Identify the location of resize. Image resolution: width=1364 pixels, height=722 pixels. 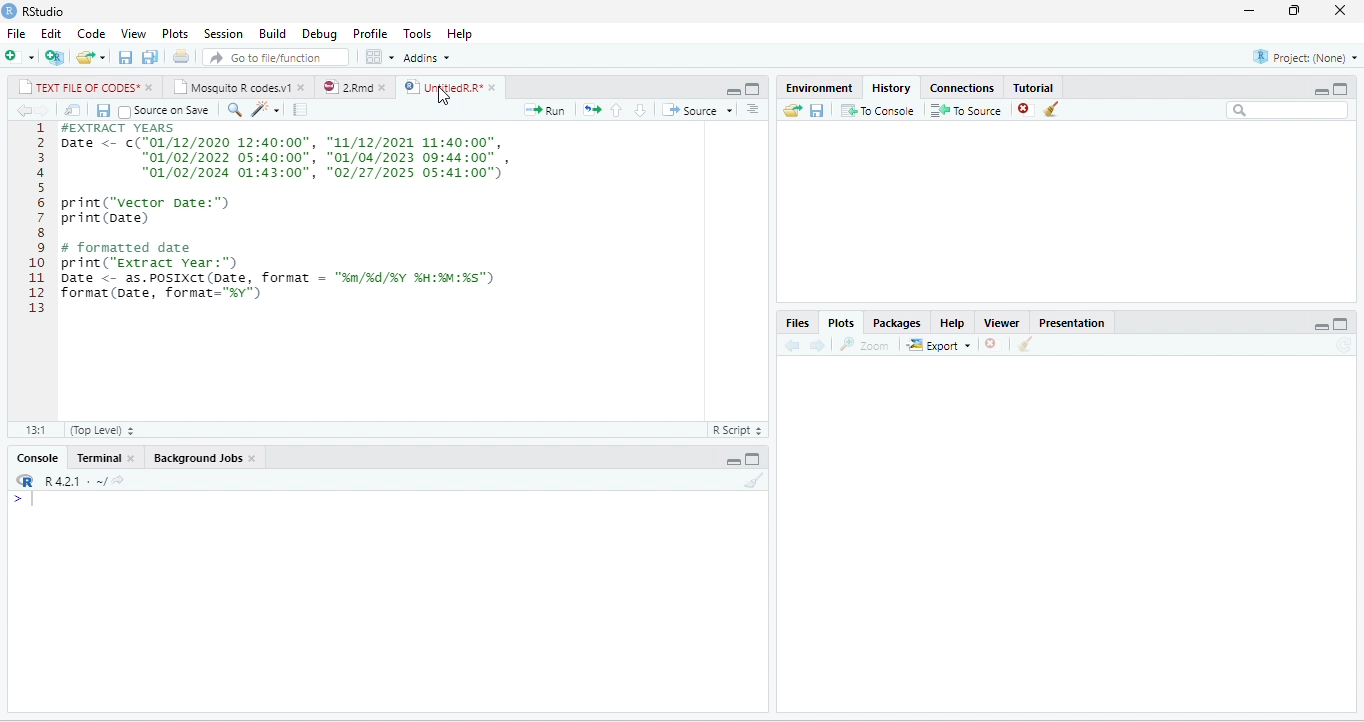
(1294, 11).